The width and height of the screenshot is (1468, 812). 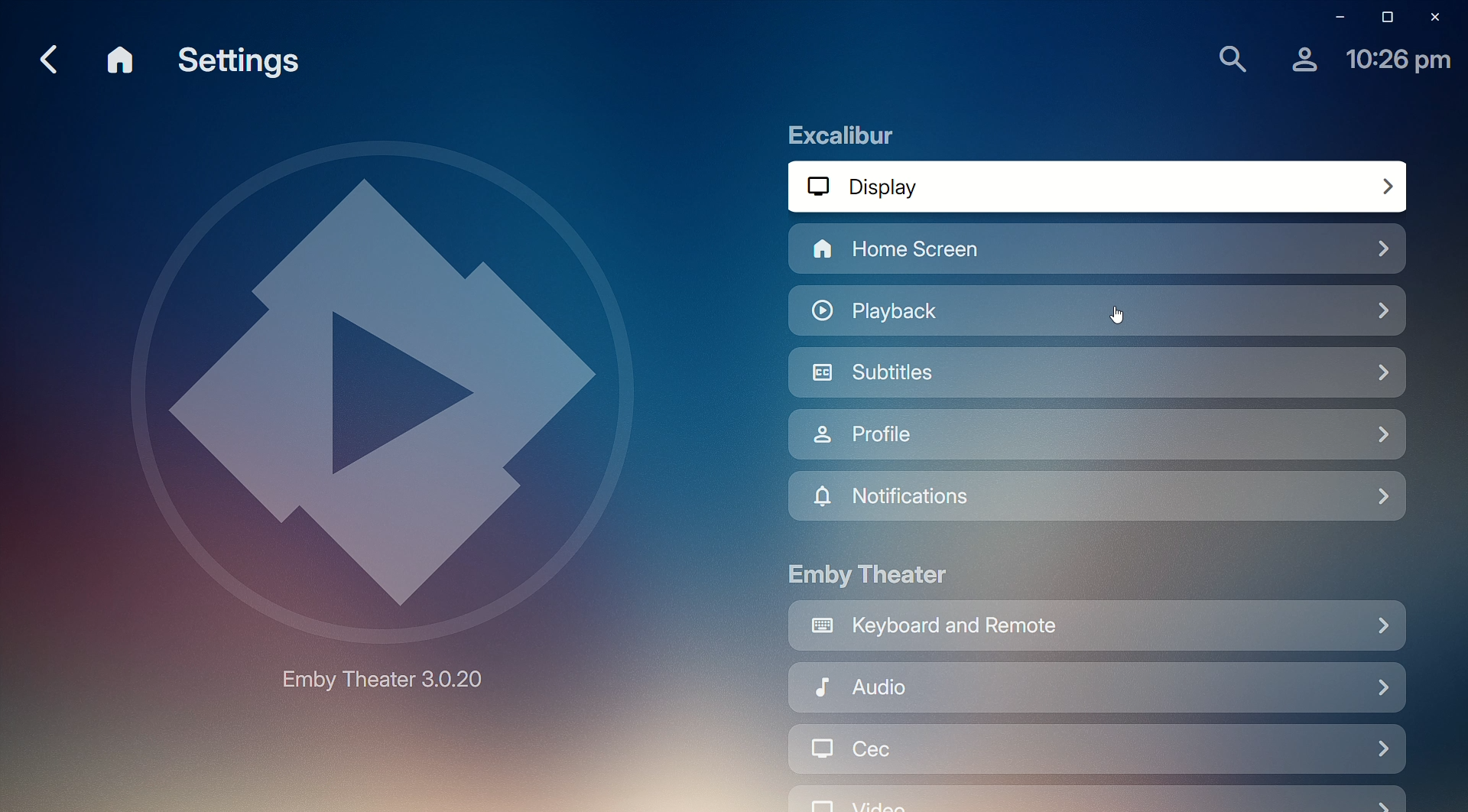 What do you see at coordinates (1099, 377) in the screenshot?
I see `Subtitles` at bounding box center [1099, 377].